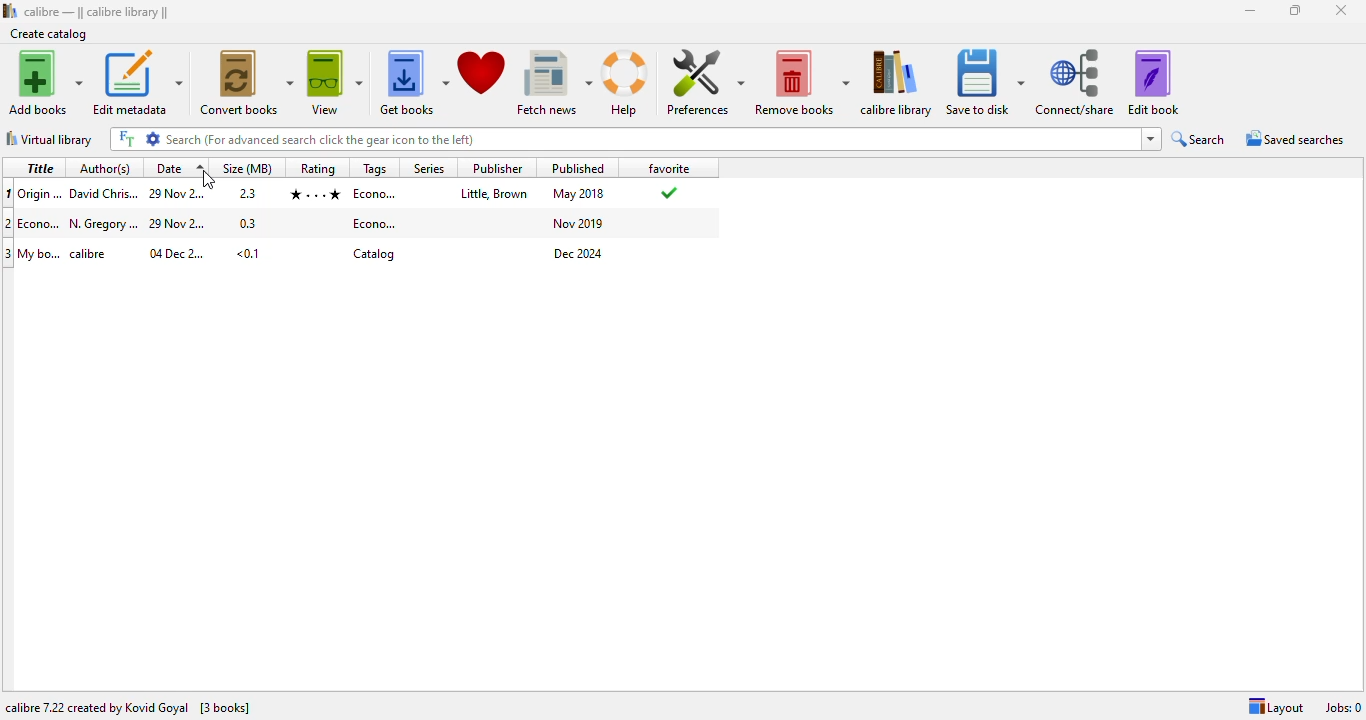  Describe the element at coordinates (482, 74) in the screenshot. I see `donate to support calibre` at that location.